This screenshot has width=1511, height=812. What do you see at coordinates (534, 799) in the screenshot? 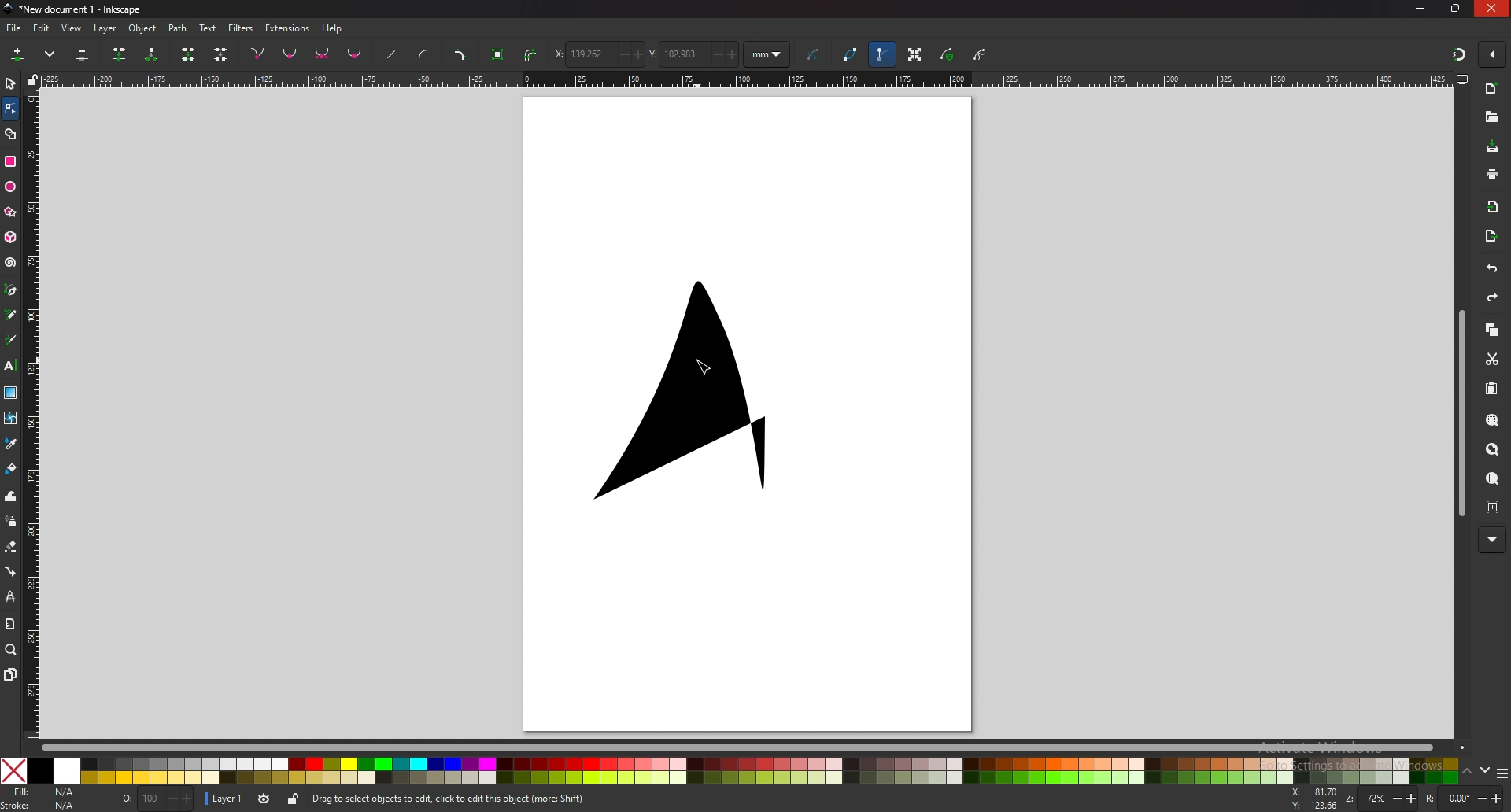
I see `info` at bounding box center [534, 799].